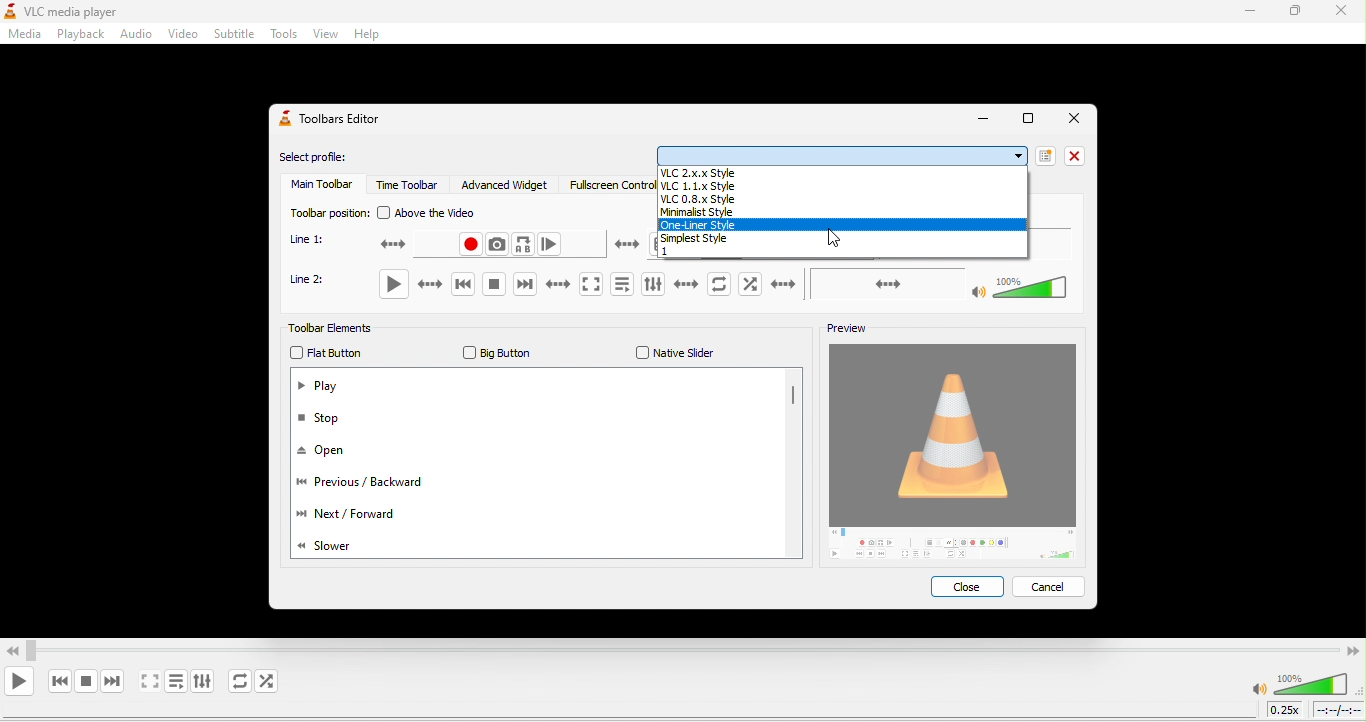 This screenshot has height=722, width=1366. Describe the element at coordinates (1071, 119) in the screenshot. I see `close` at that location.